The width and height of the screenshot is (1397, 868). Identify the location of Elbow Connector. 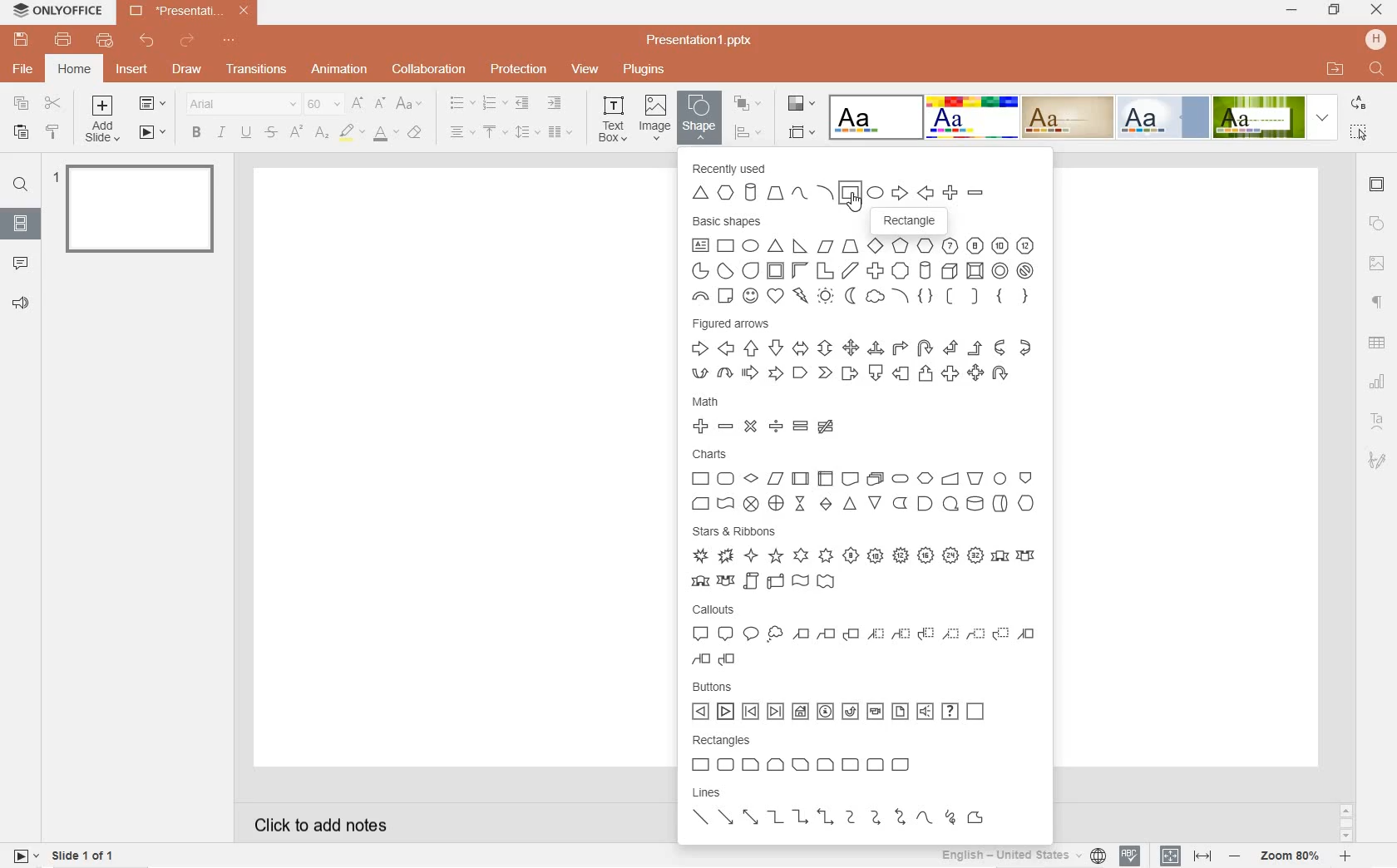
(775, 818).